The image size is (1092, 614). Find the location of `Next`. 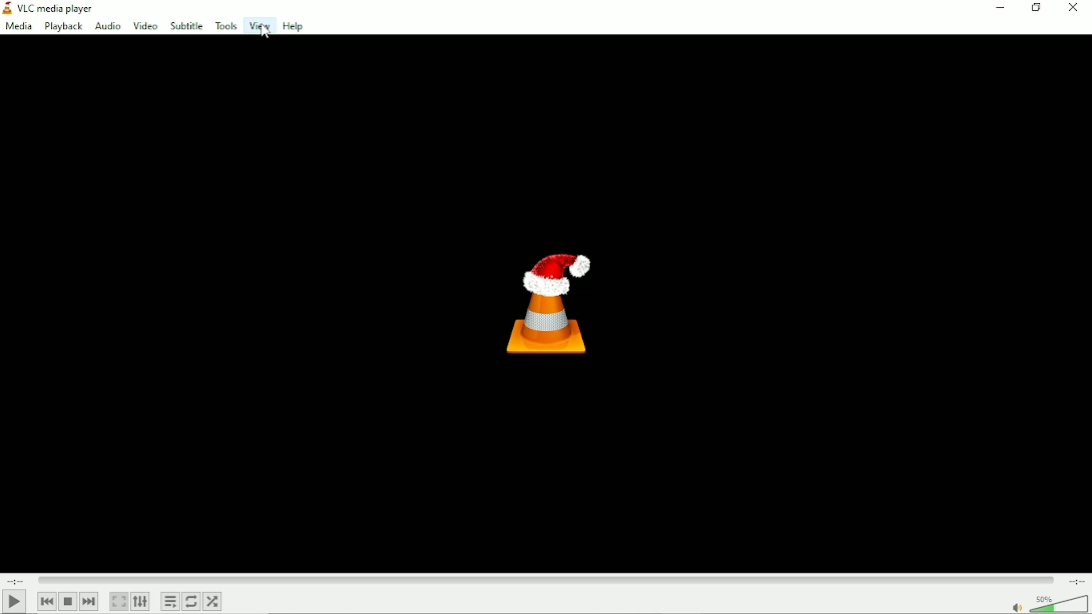

Next is located at coordinates (88, 601).